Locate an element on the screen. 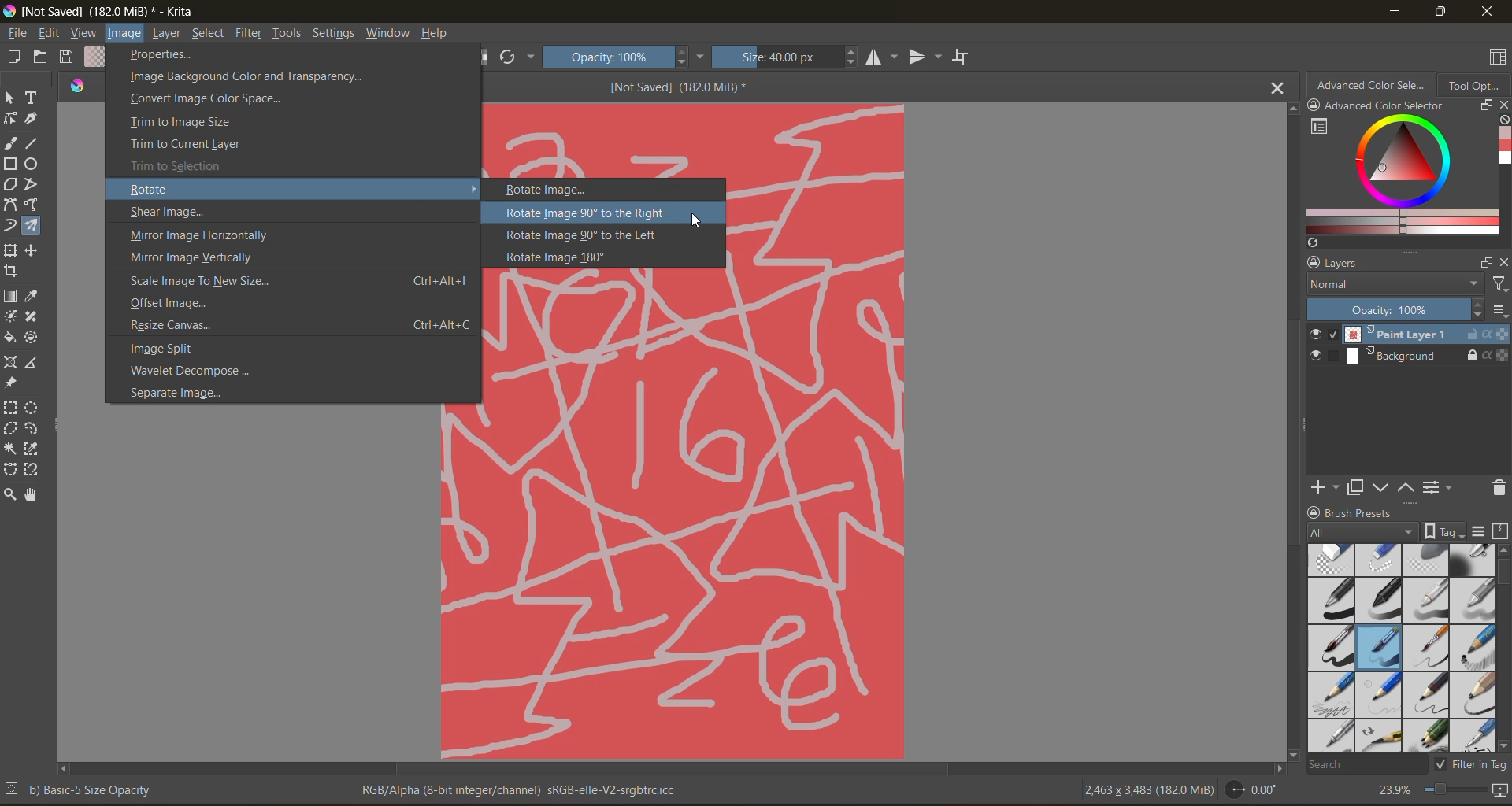 This screenshot has width=1512, height=806. maximize is located at coordinates (1437, 13).